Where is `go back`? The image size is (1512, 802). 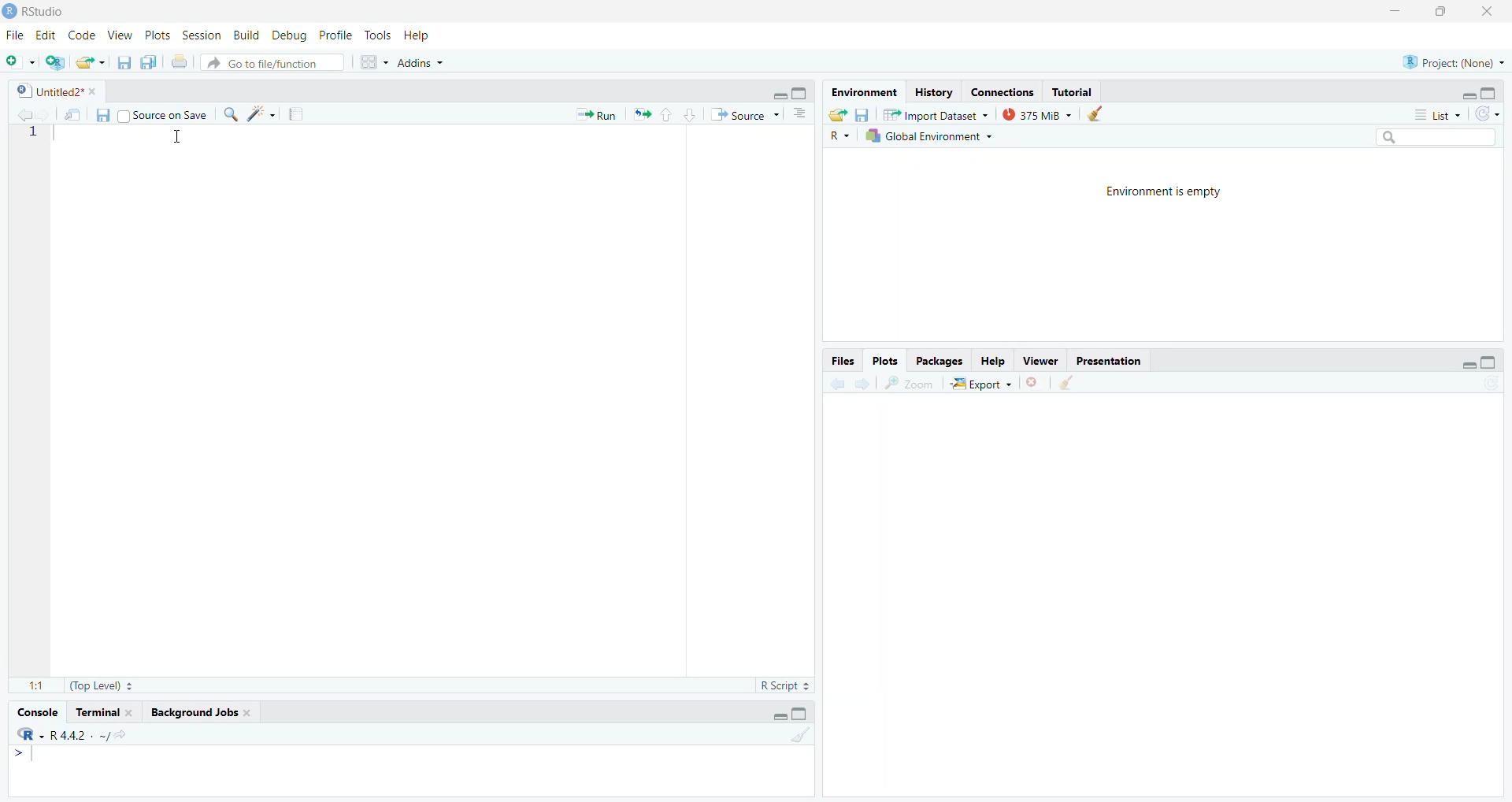
go back is located at coordinates (837, 383).